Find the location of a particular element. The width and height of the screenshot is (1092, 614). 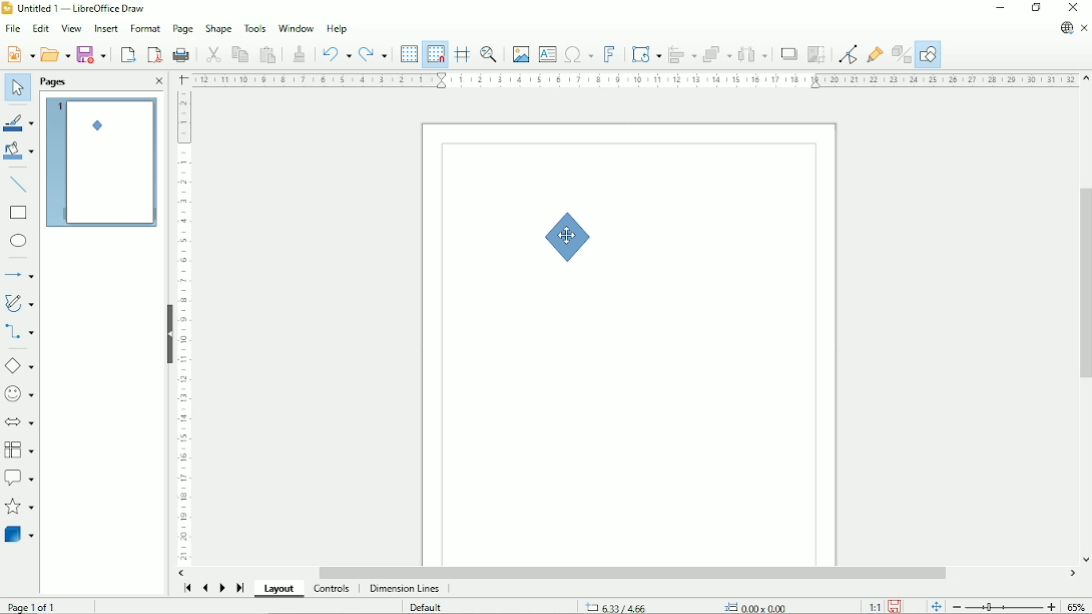

Page 1 of 1 is located at coordinates (36, 606).